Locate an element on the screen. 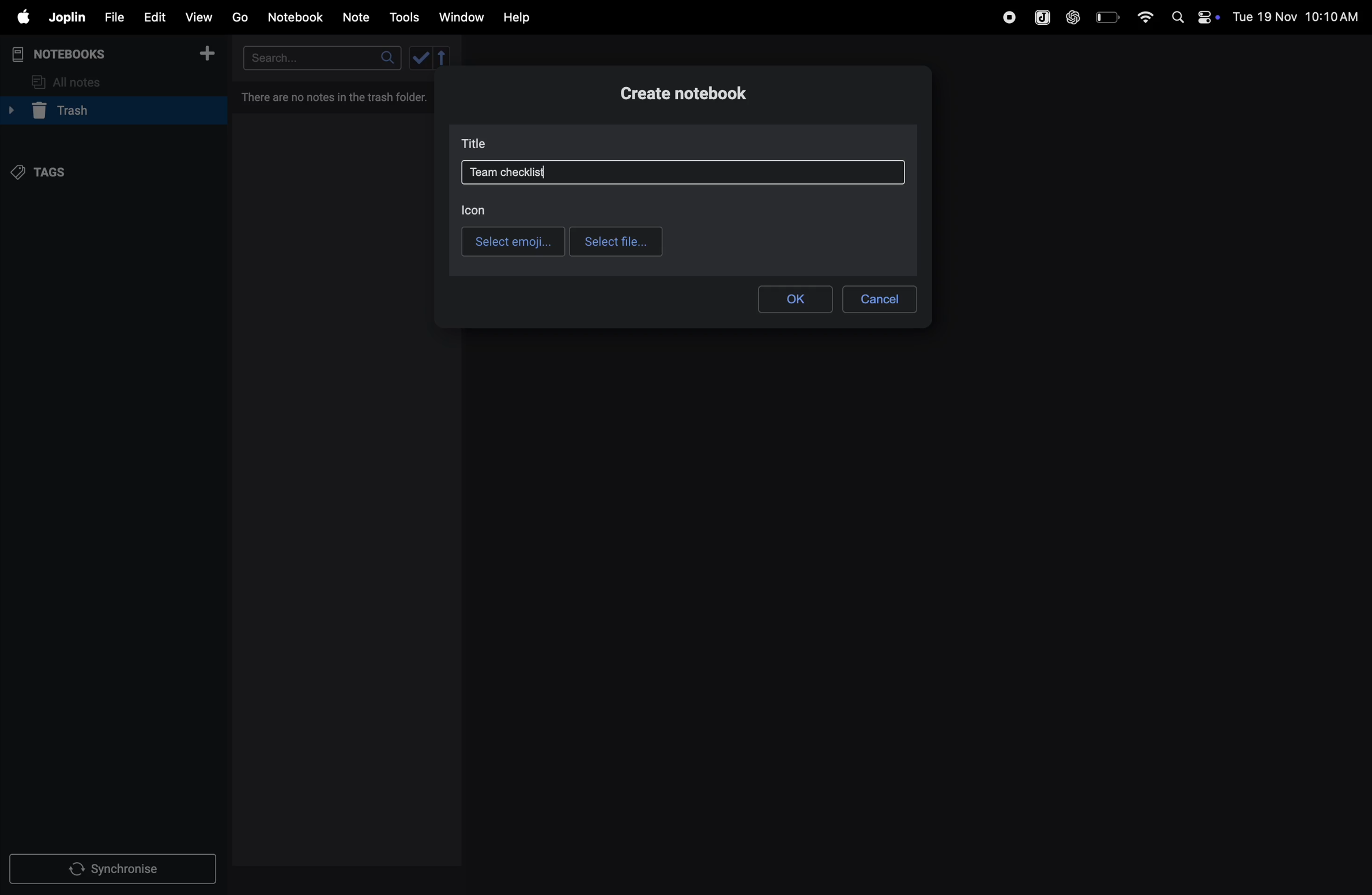 The image size is (1372, 895). record is located at coordinates (1005, 17).